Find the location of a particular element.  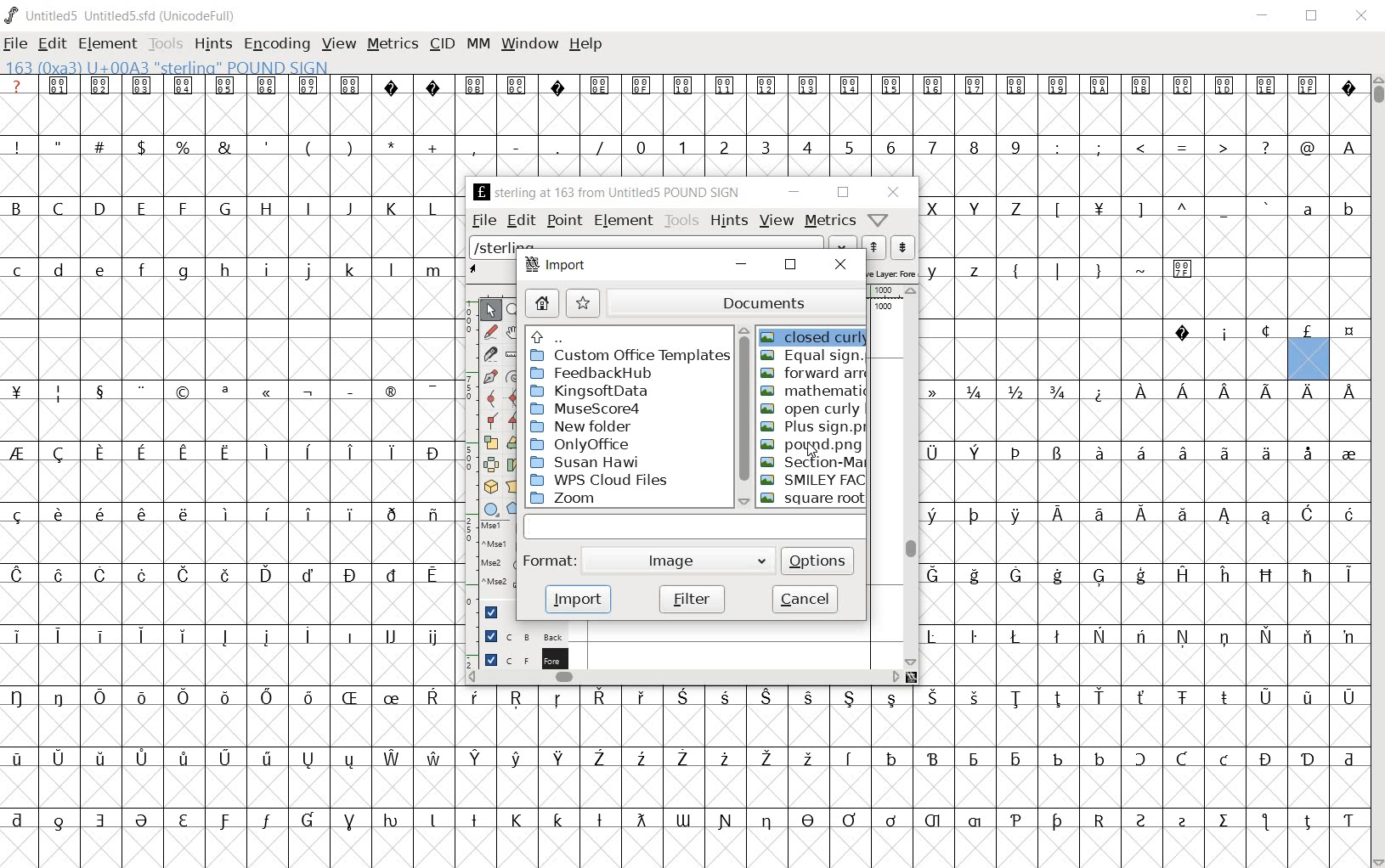

poyad.png | is located at coordinates (814, 445).